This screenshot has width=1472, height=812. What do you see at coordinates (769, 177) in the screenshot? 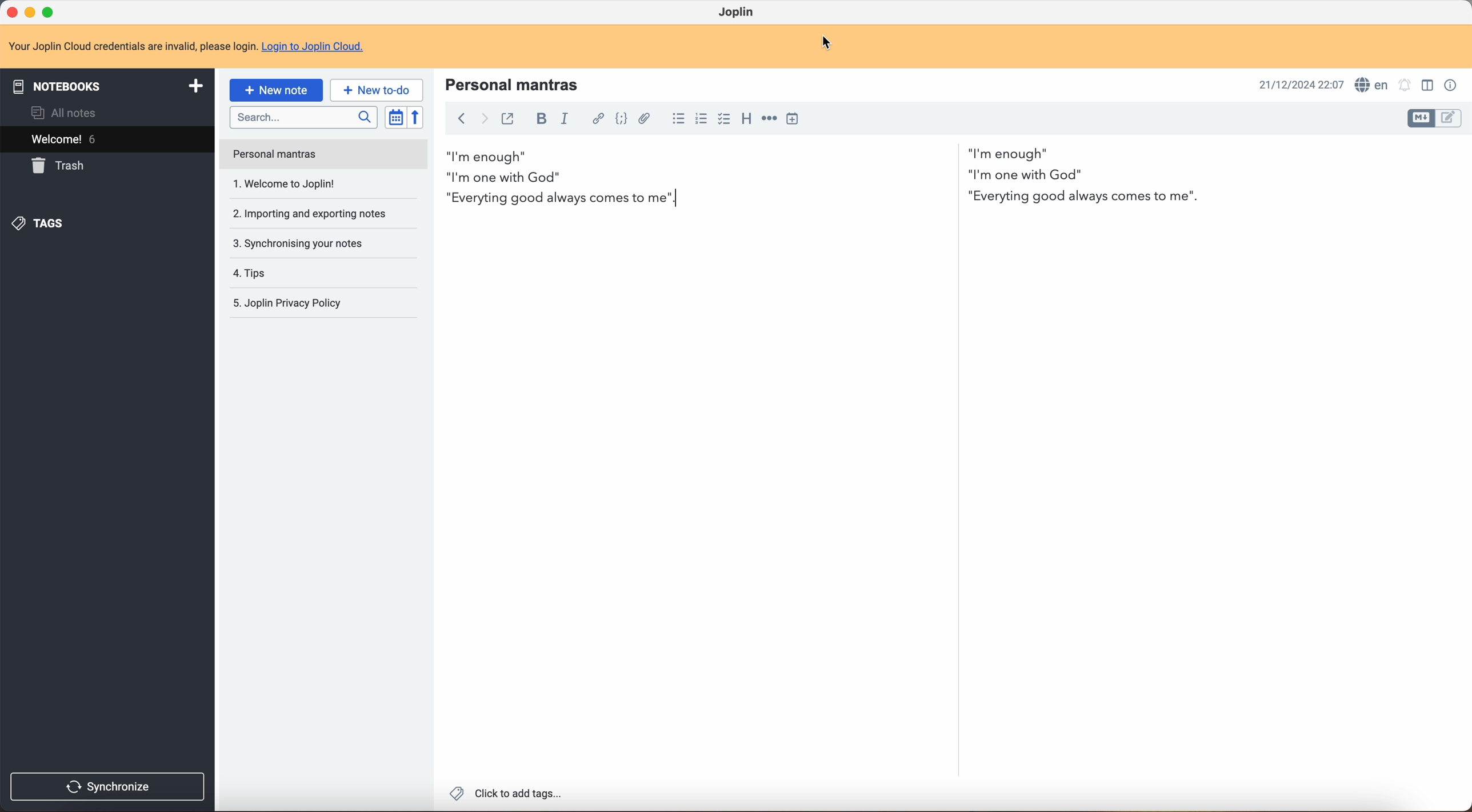
I see `I'm one with God second mantra` at bounding box center [769, 177].